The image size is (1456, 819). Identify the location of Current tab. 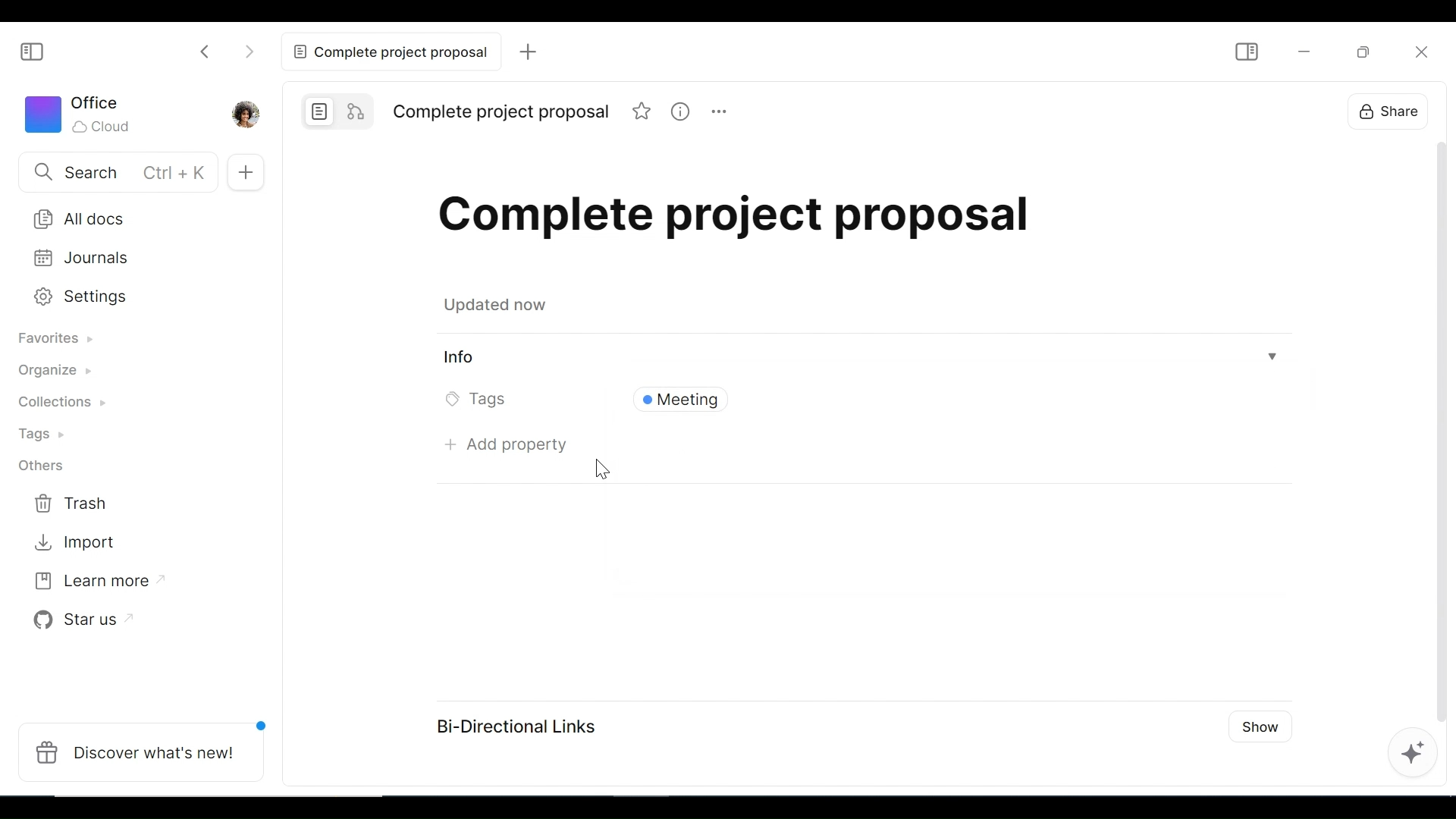
(388, 52).